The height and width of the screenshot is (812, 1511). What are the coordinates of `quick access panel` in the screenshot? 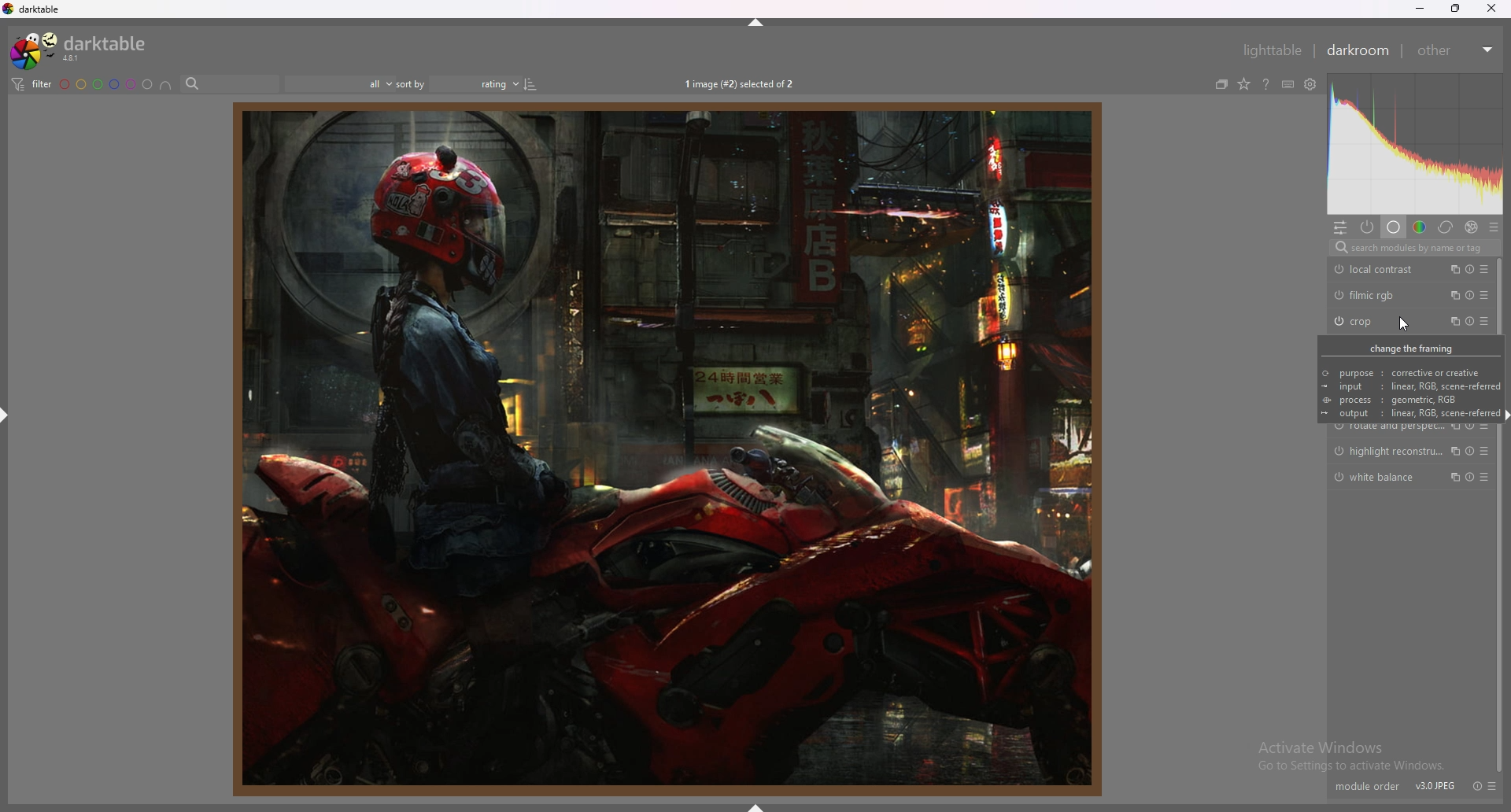 It's located at (1340, 227).